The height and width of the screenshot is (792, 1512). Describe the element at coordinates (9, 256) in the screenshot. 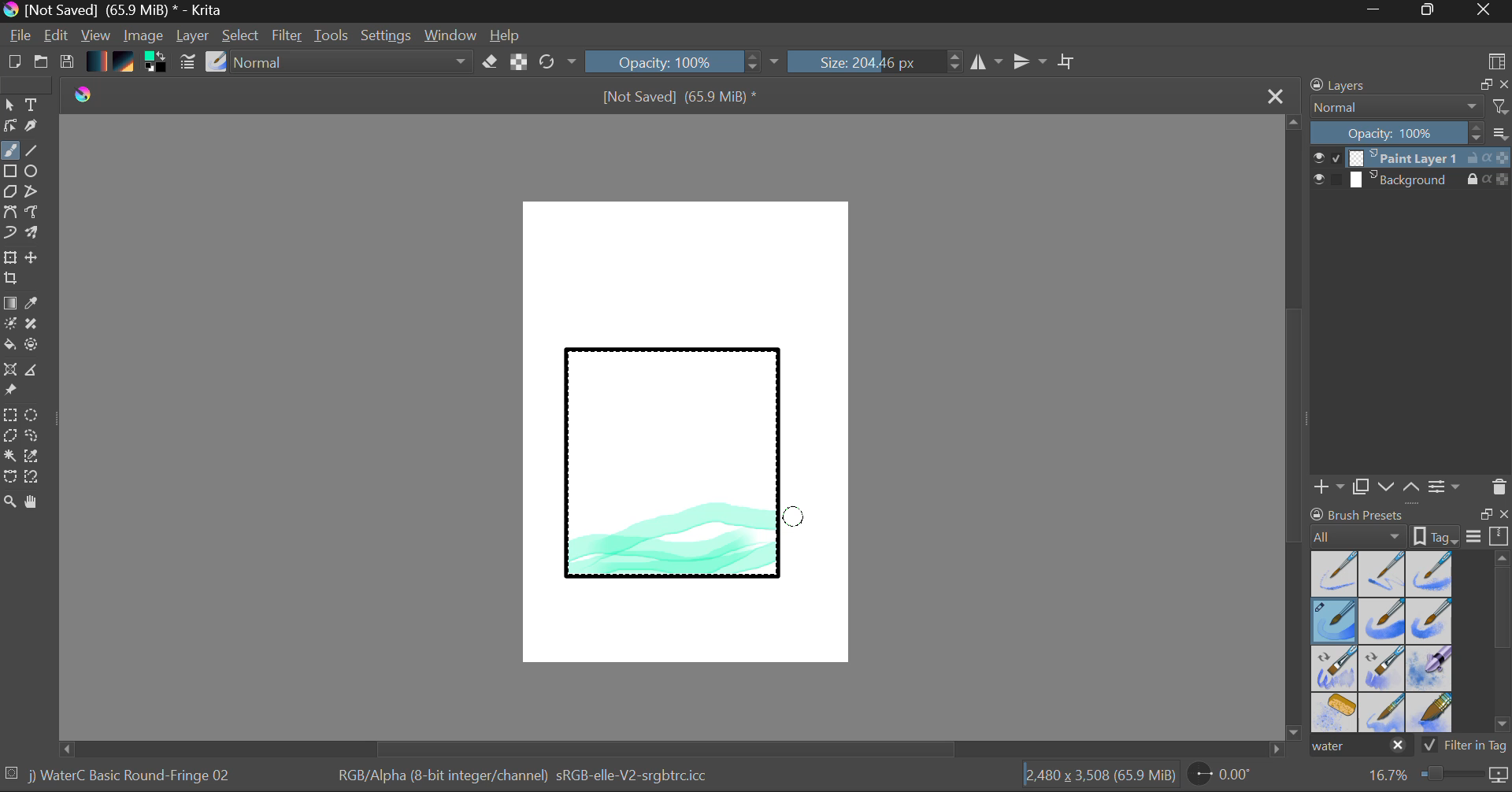

I see `Transform Layer` at that location.